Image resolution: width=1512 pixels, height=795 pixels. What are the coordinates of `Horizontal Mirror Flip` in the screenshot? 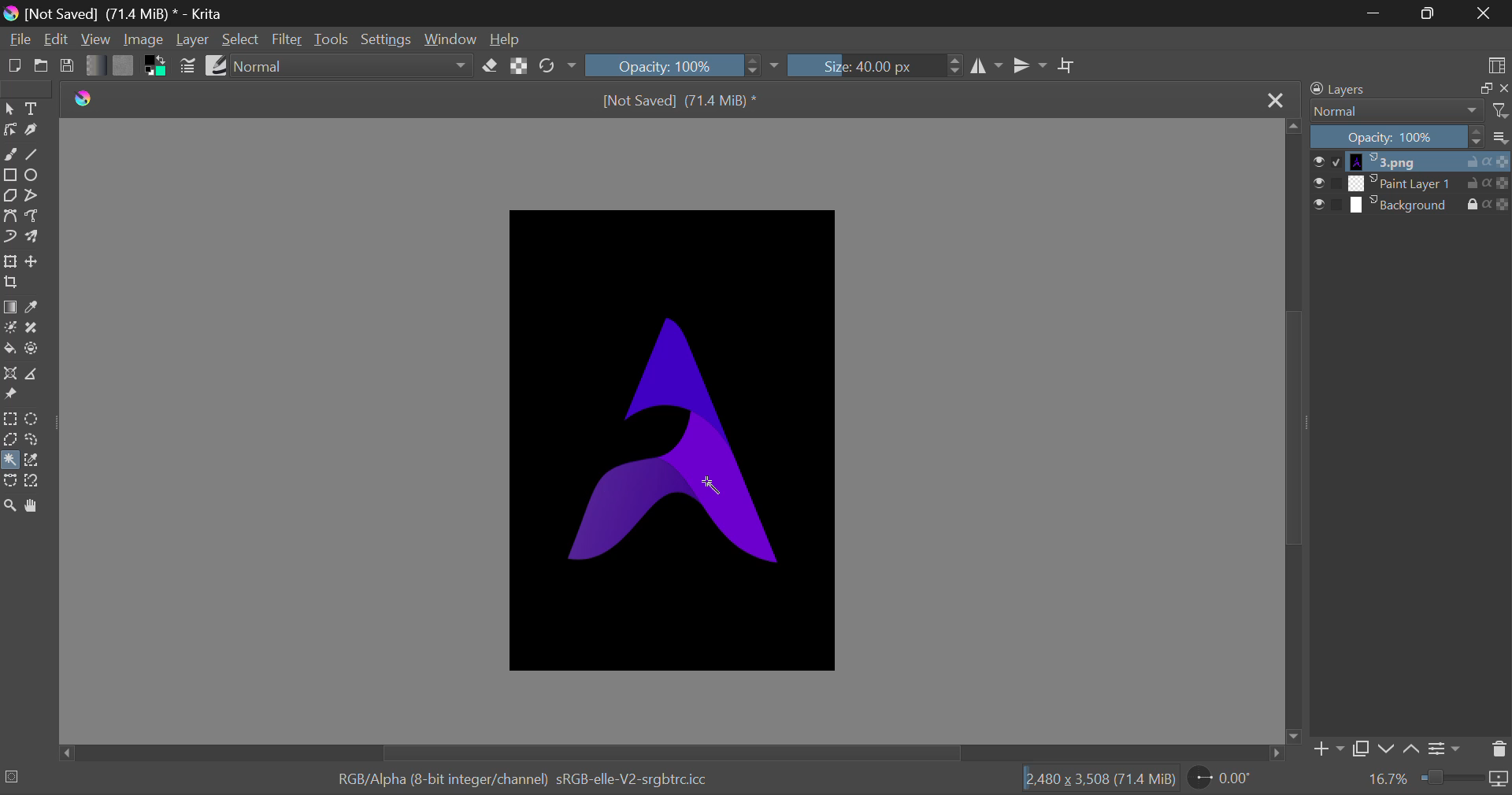 It's located at (1031, 65).